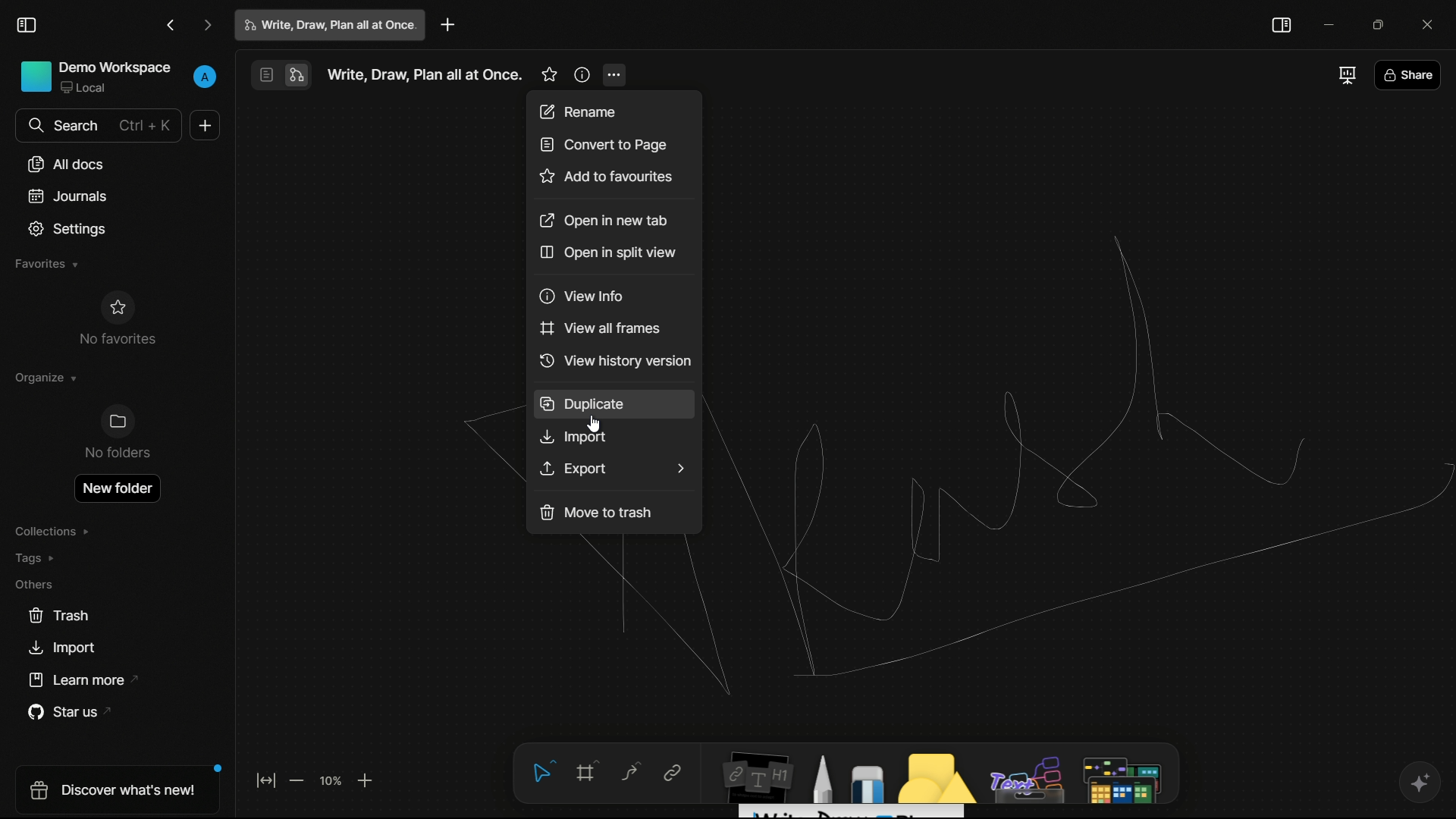 Image resolution: width=1456 pixels, height=819 pixels. Describe the element at coordinates (447, 25) in the screenshot. I see `new project` at that location.